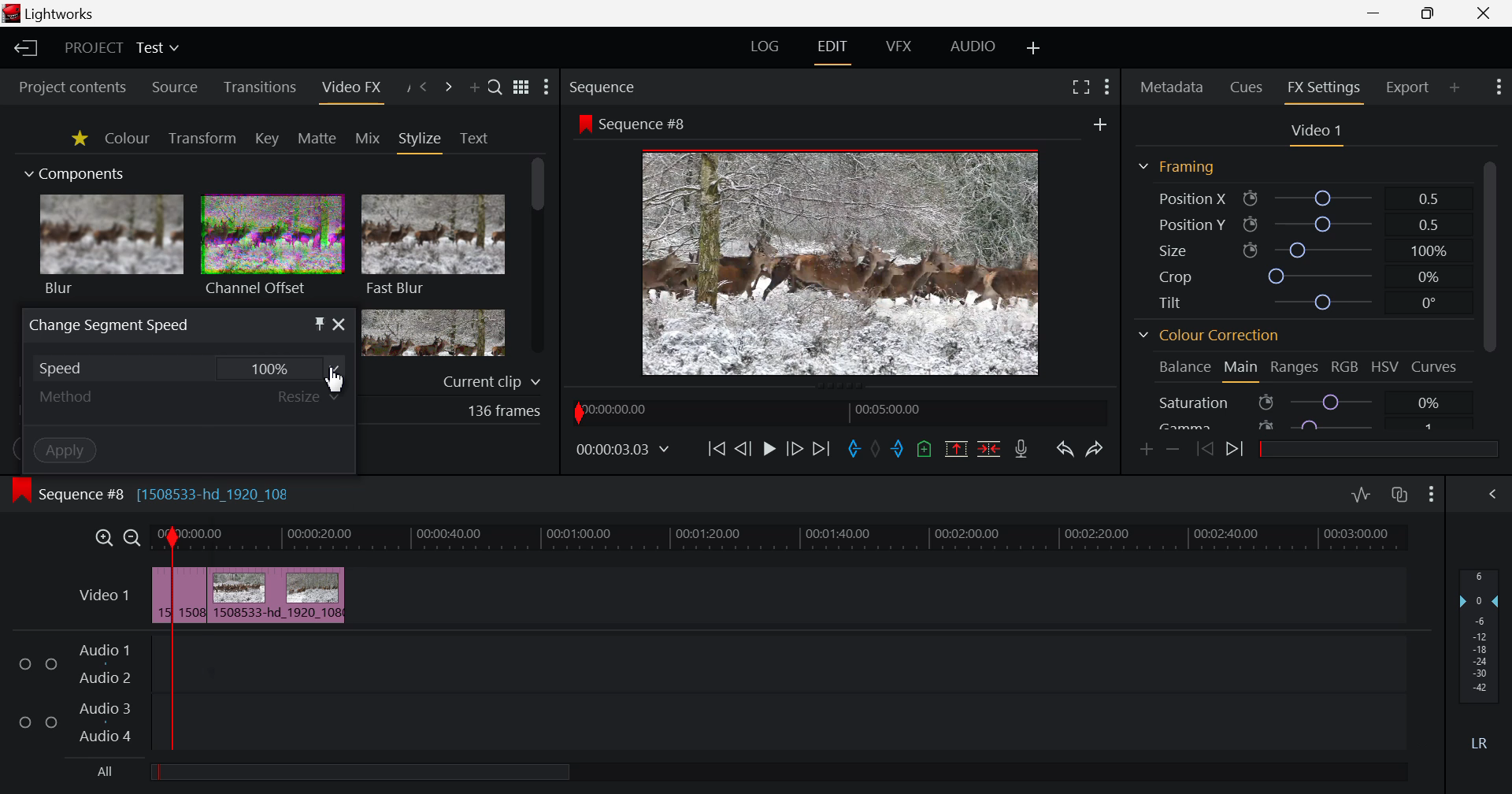 The image size is (1512, 794). I want to click on 00:00:00, so click(614, 408).